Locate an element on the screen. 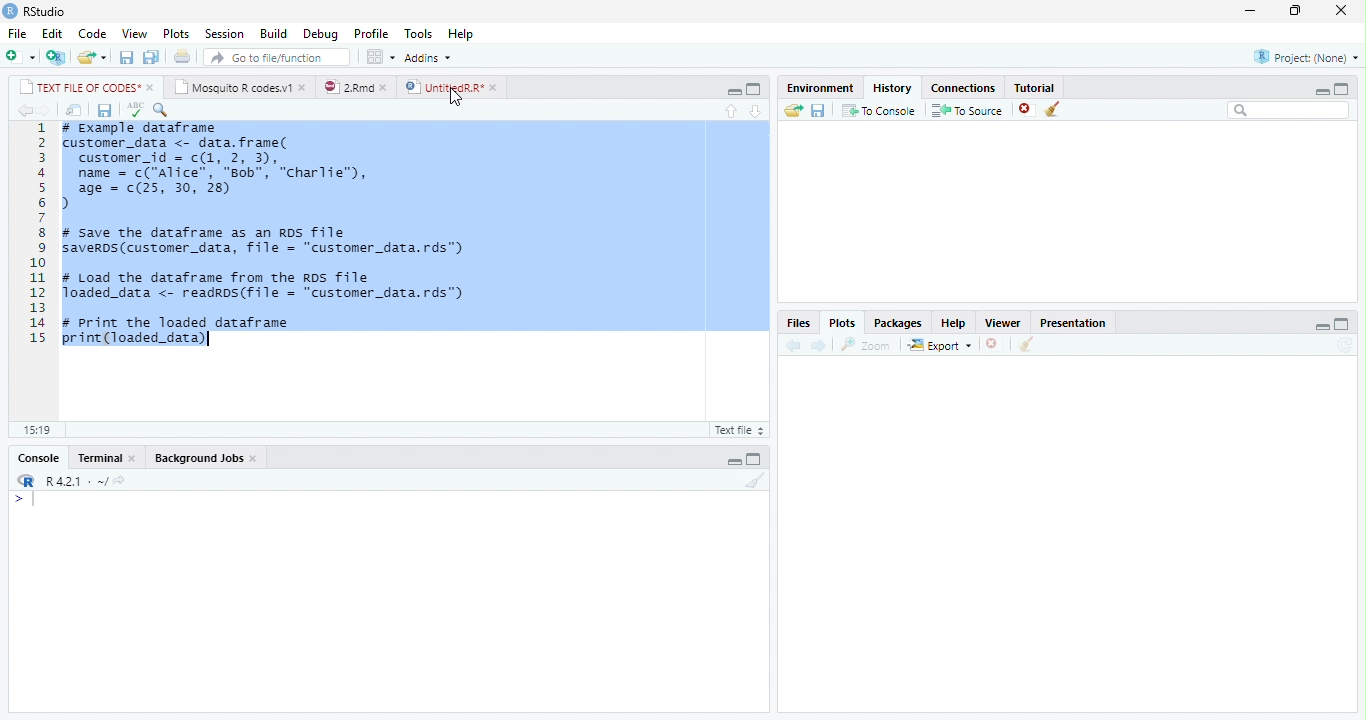 The width and height of the screenshot is (1366, 720). close file is located at coordinates (1028, 109).